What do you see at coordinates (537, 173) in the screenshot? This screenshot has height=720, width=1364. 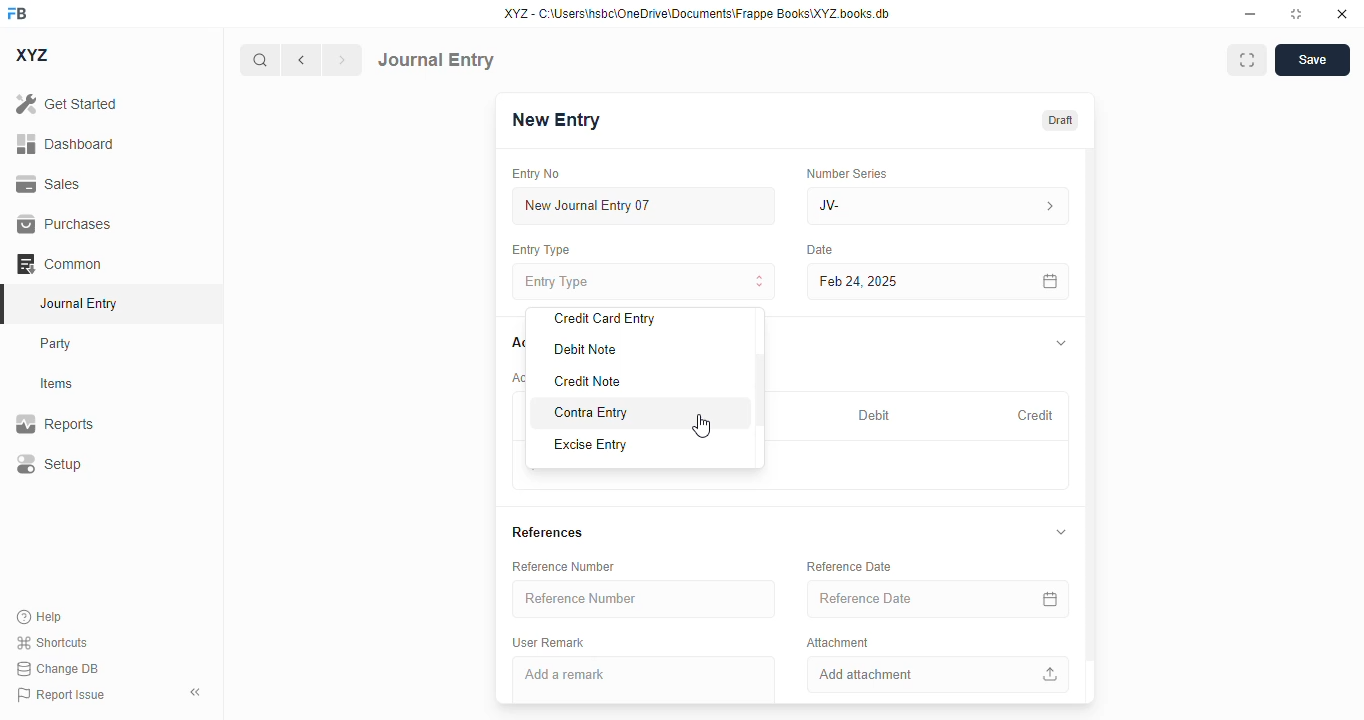 I see `entry no` at bounding box center [537, 173].